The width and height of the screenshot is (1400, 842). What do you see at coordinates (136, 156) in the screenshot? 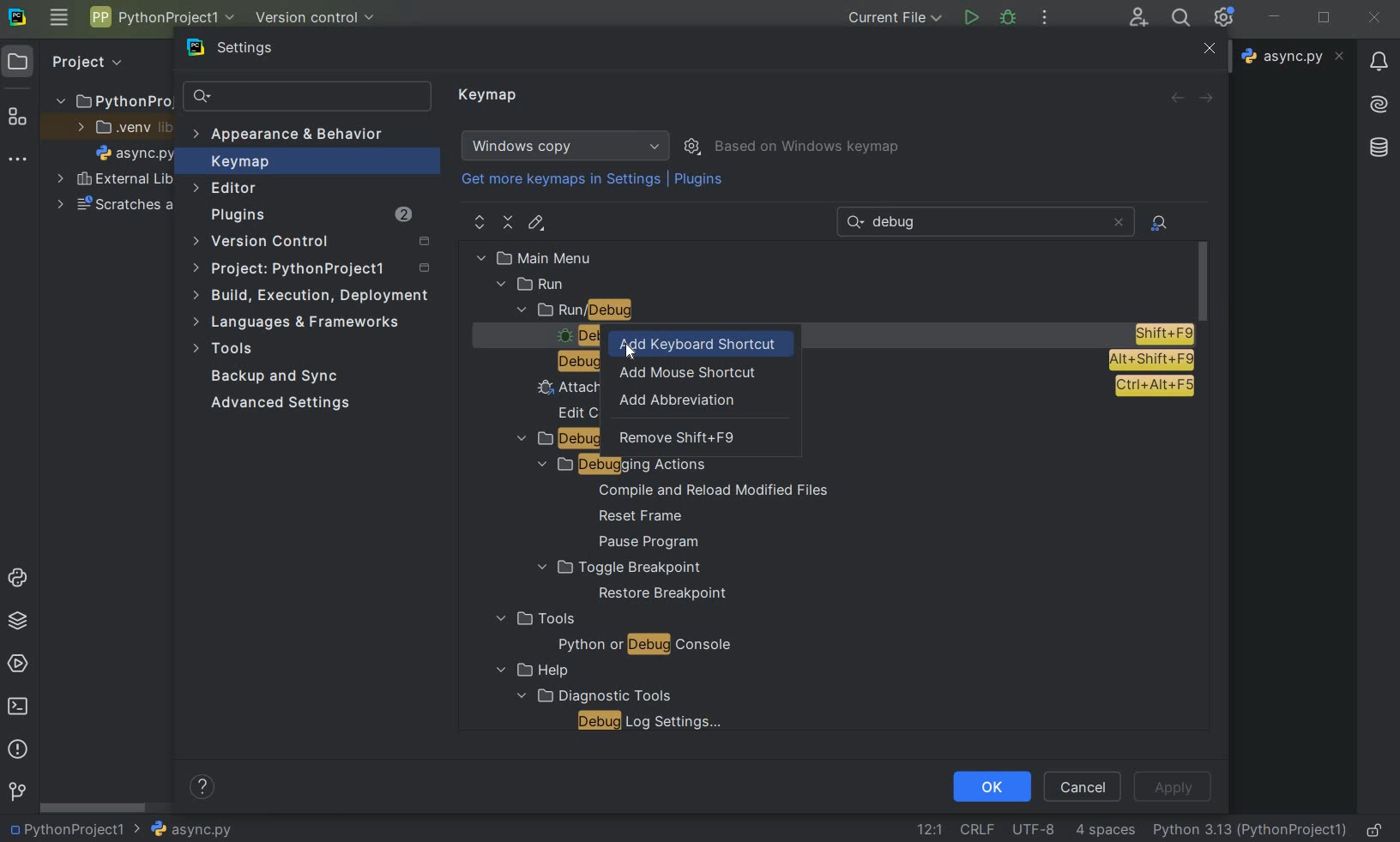
I see `file name` at bounding box center [136, 156].